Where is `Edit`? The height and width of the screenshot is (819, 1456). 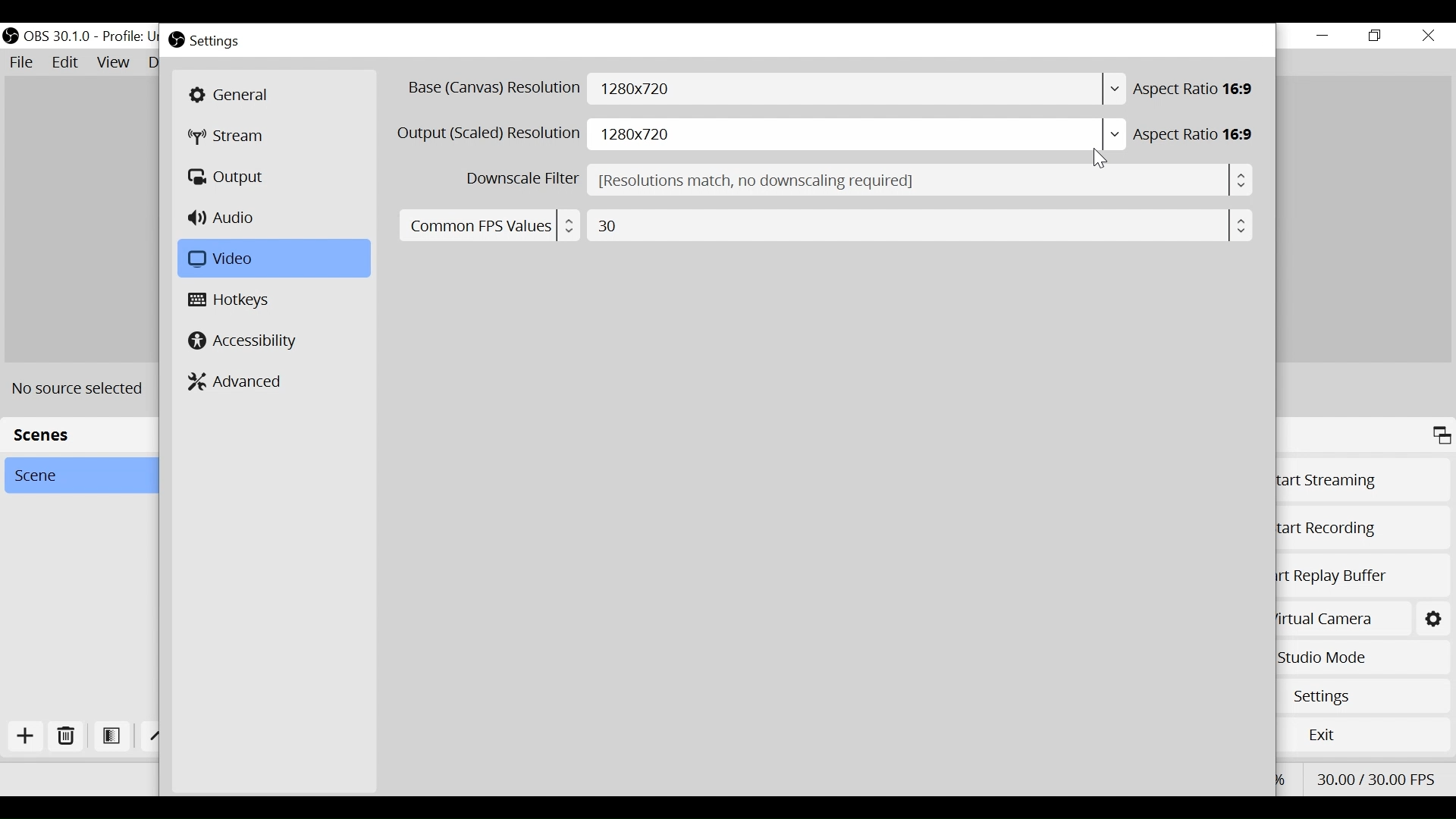
Edit is located at coordinates (66, 63).